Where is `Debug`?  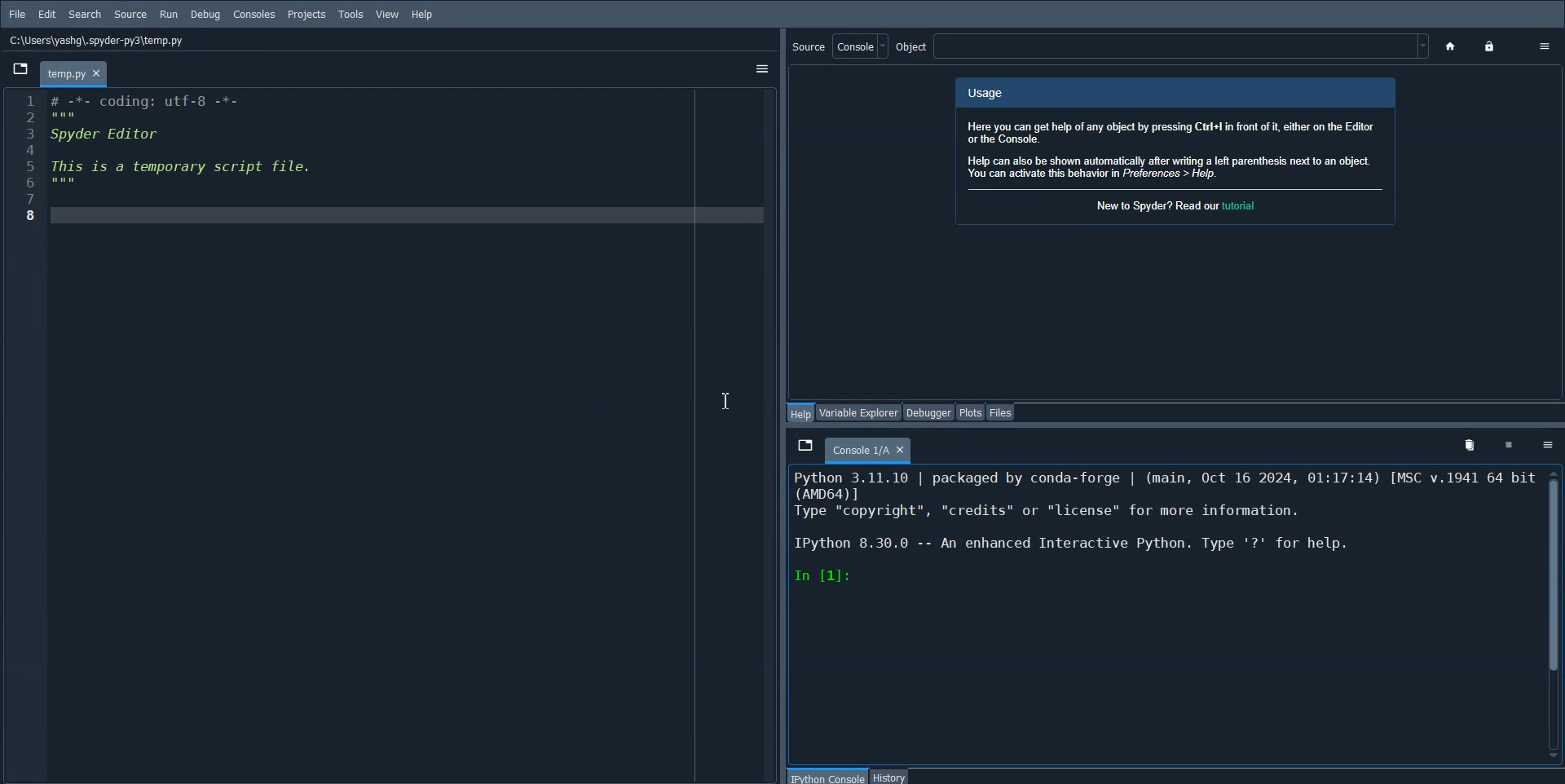
Debug is located at coordinates (205, 15).